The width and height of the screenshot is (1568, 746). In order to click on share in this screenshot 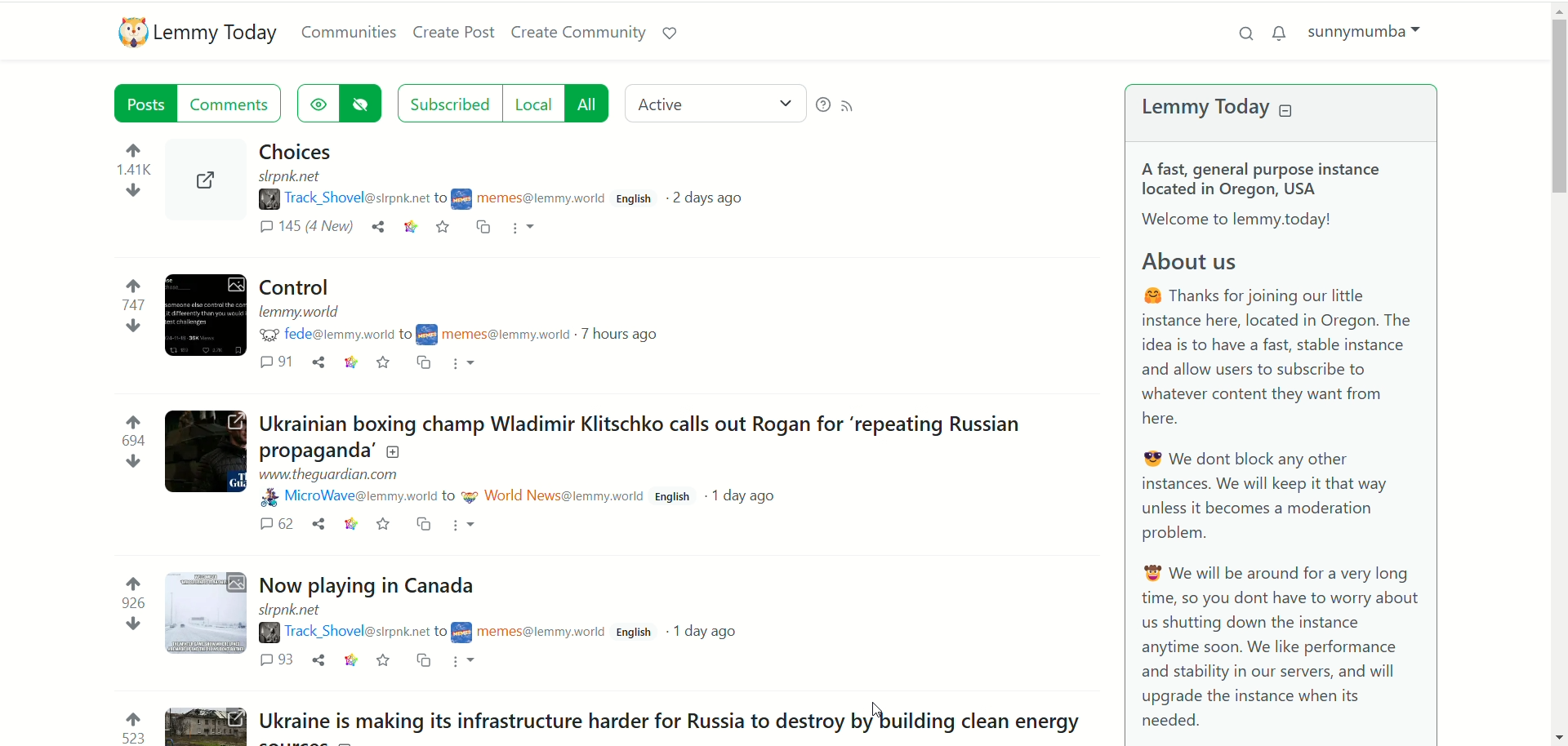, I will do `click(317, 659)`.